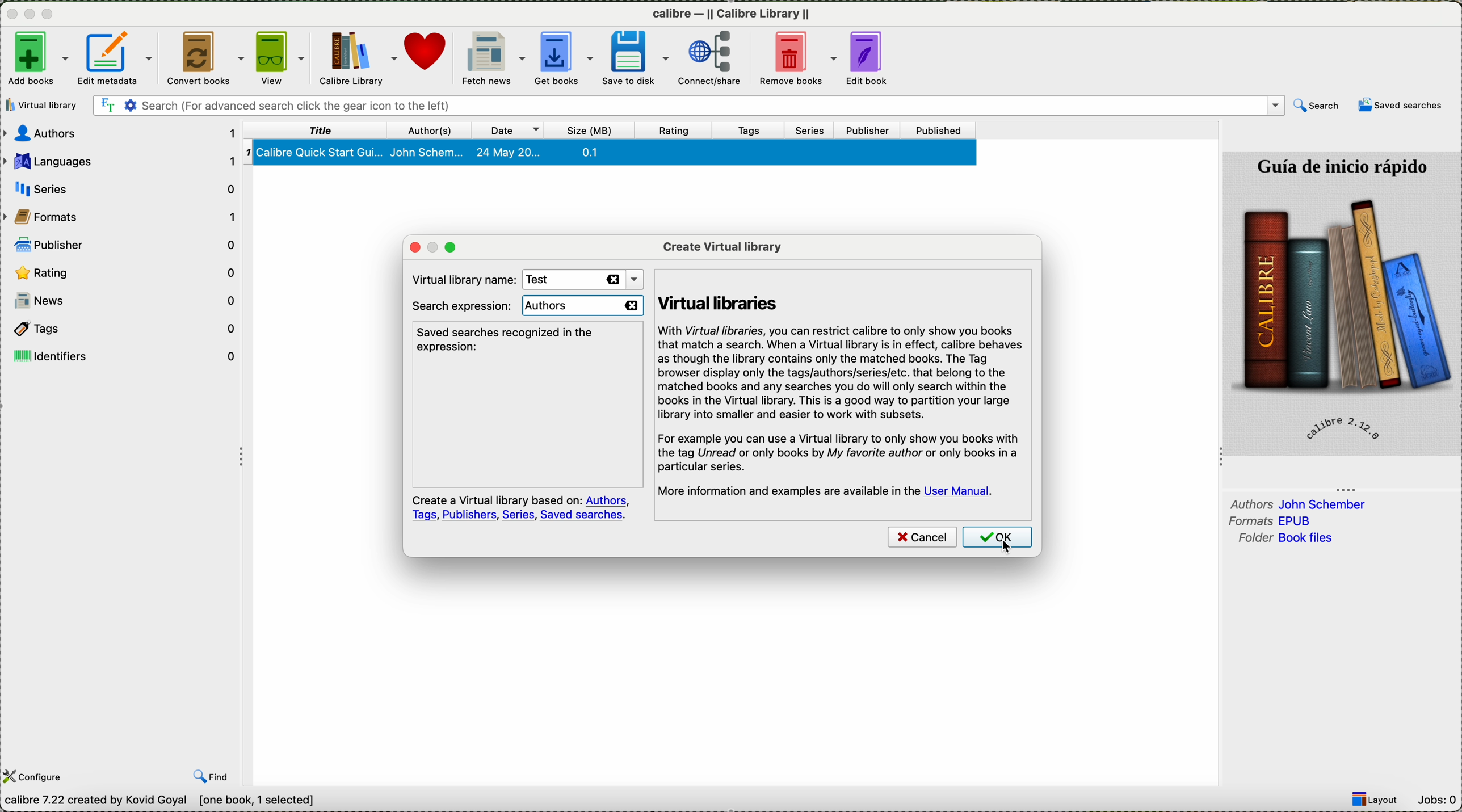  Describe the element at coordinates (126, 243) in the screenshot. I see `publisher` at that location.